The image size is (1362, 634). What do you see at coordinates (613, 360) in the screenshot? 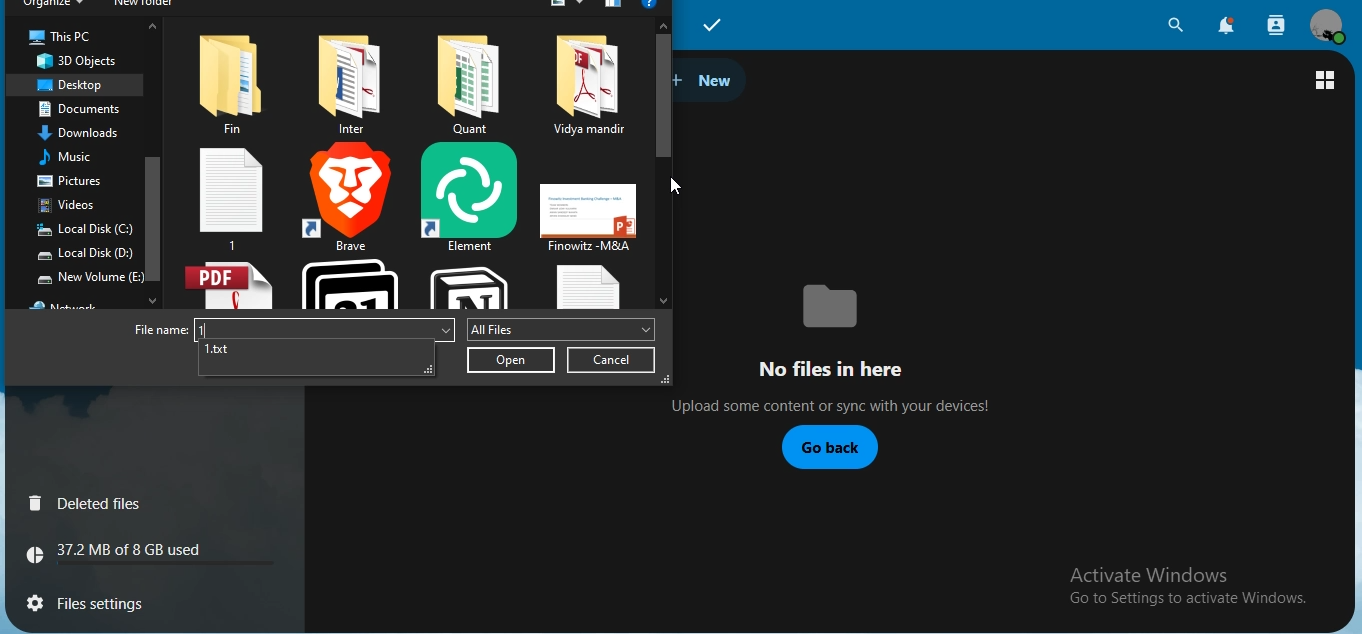
I see `cancel` at bounding box center [613, 360].